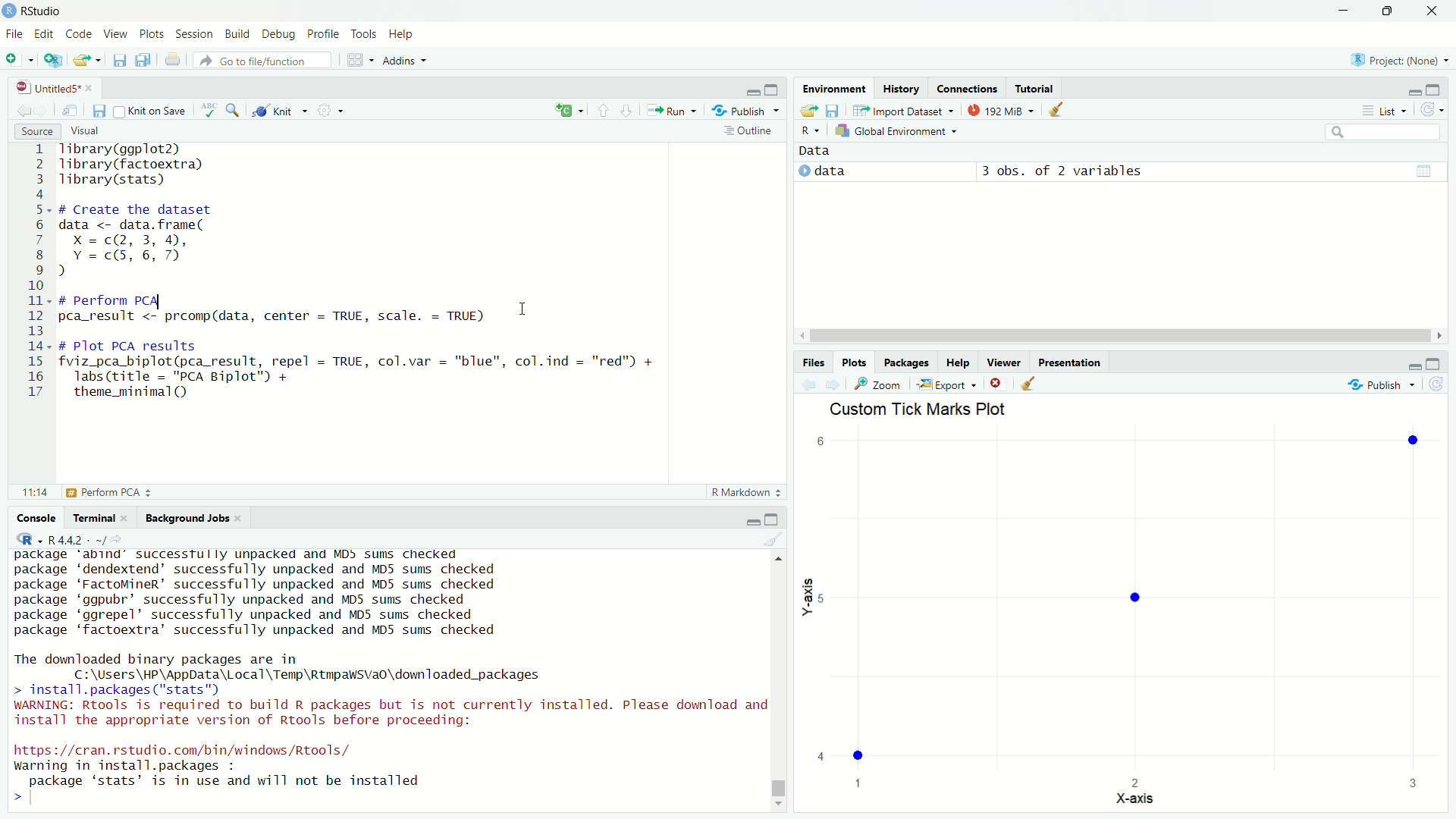  I want to click on language select, so click(566, 111).